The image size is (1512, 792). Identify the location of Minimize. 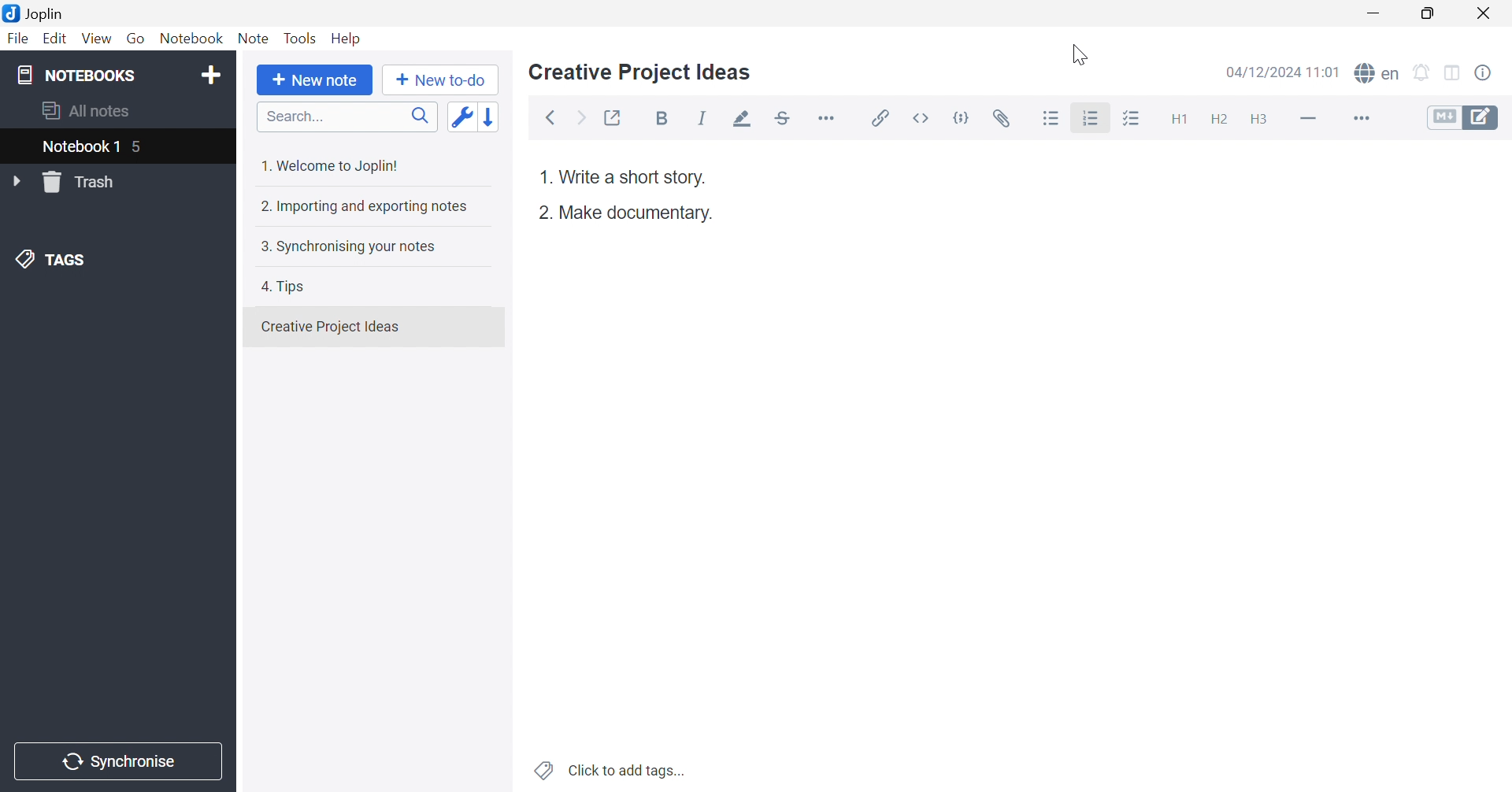
(1379, 13).